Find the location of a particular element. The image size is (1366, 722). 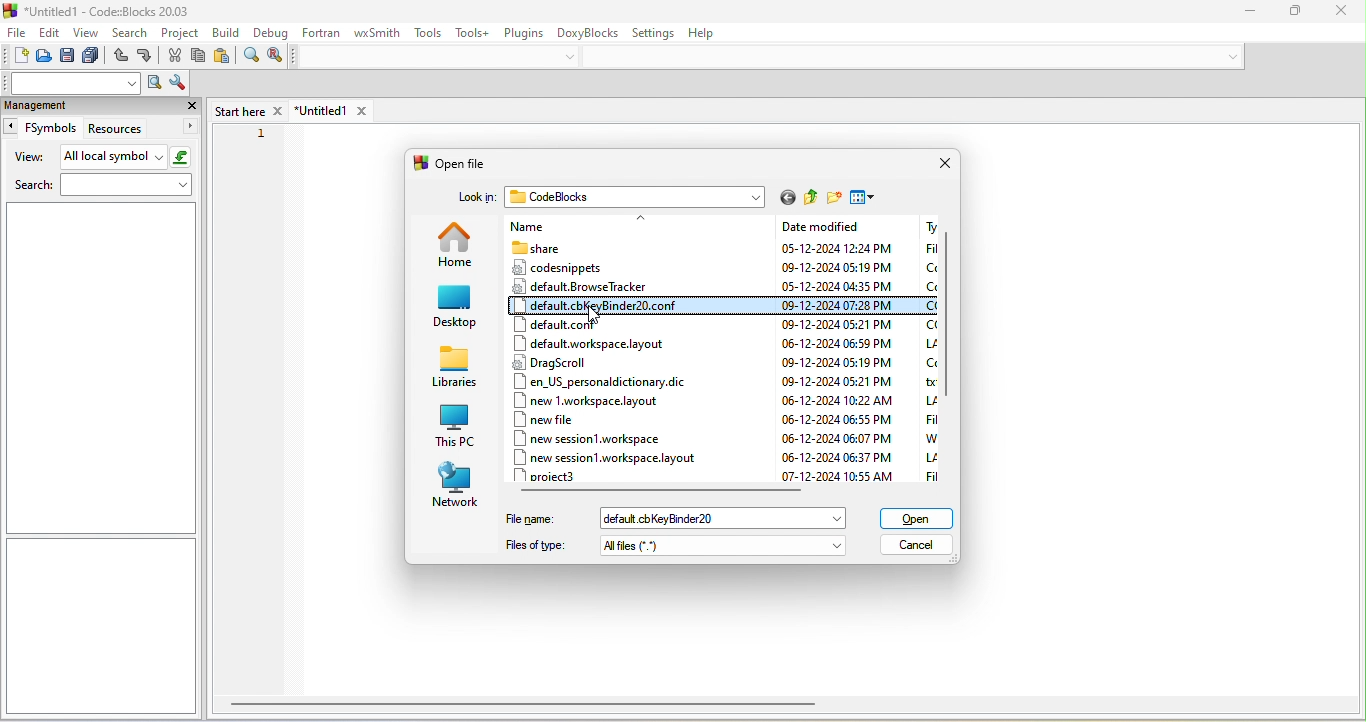

vertical scroll bar is located at coordinates (950, 315).